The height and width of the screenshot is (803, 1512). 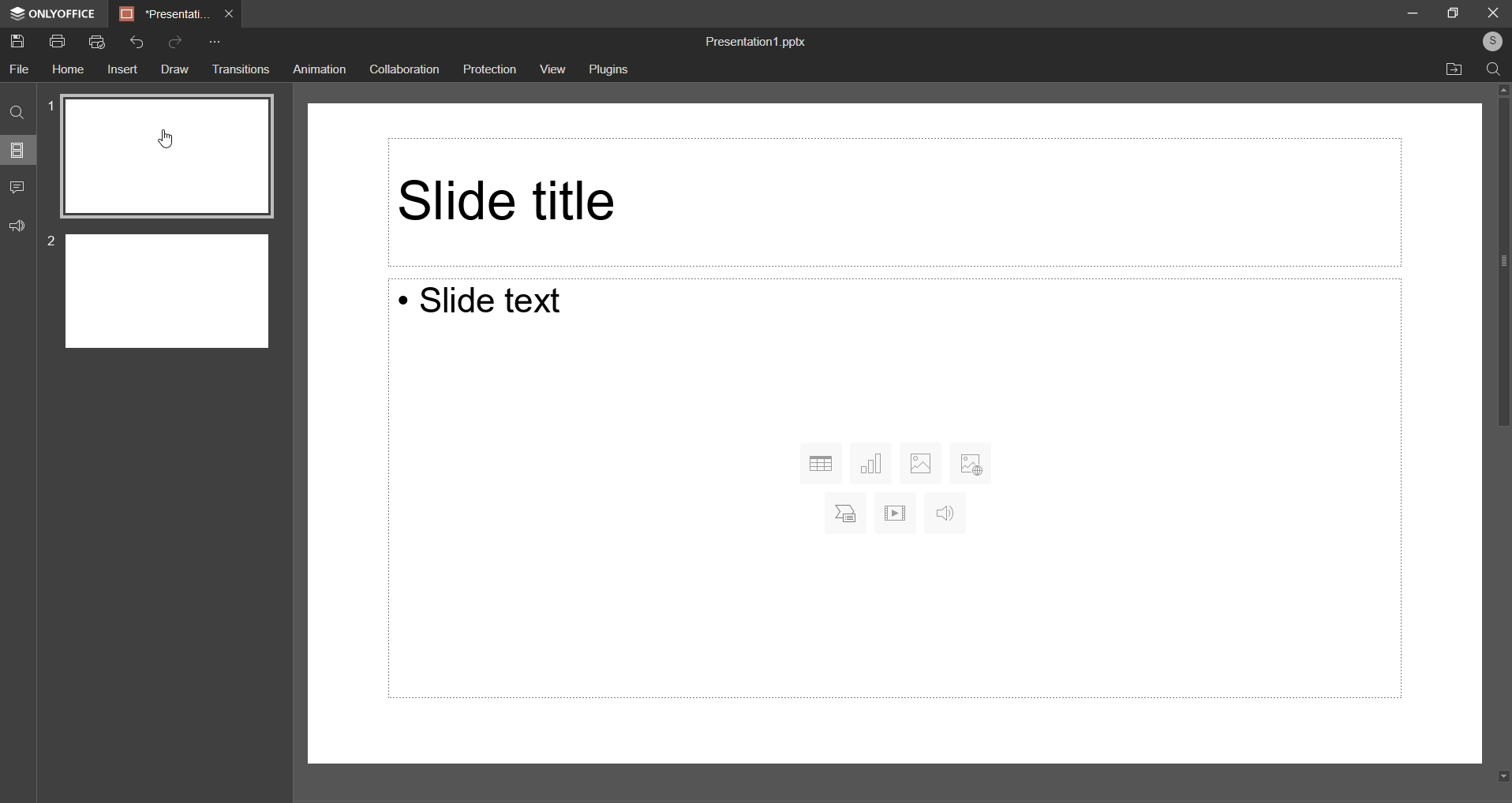 I want to click on Logo, so click(x=50, y=15).